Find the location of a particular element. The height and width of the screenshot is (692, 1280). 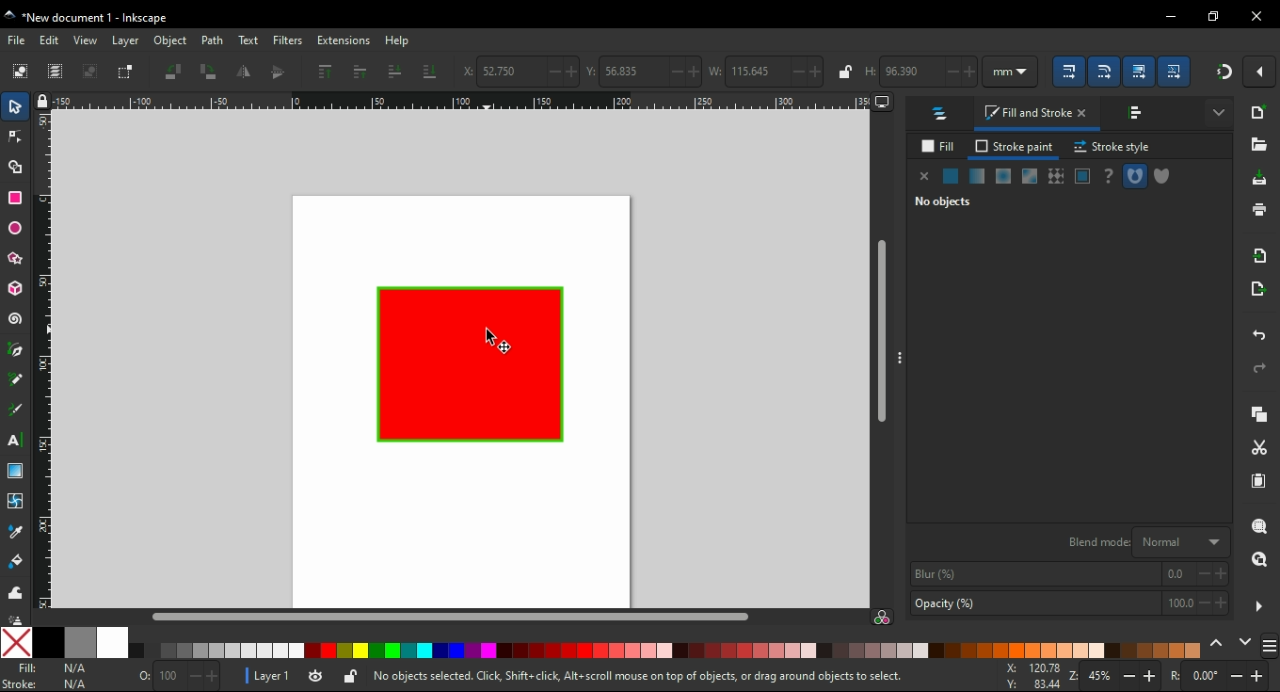

flip vertical is located at coordinates (278, 71).